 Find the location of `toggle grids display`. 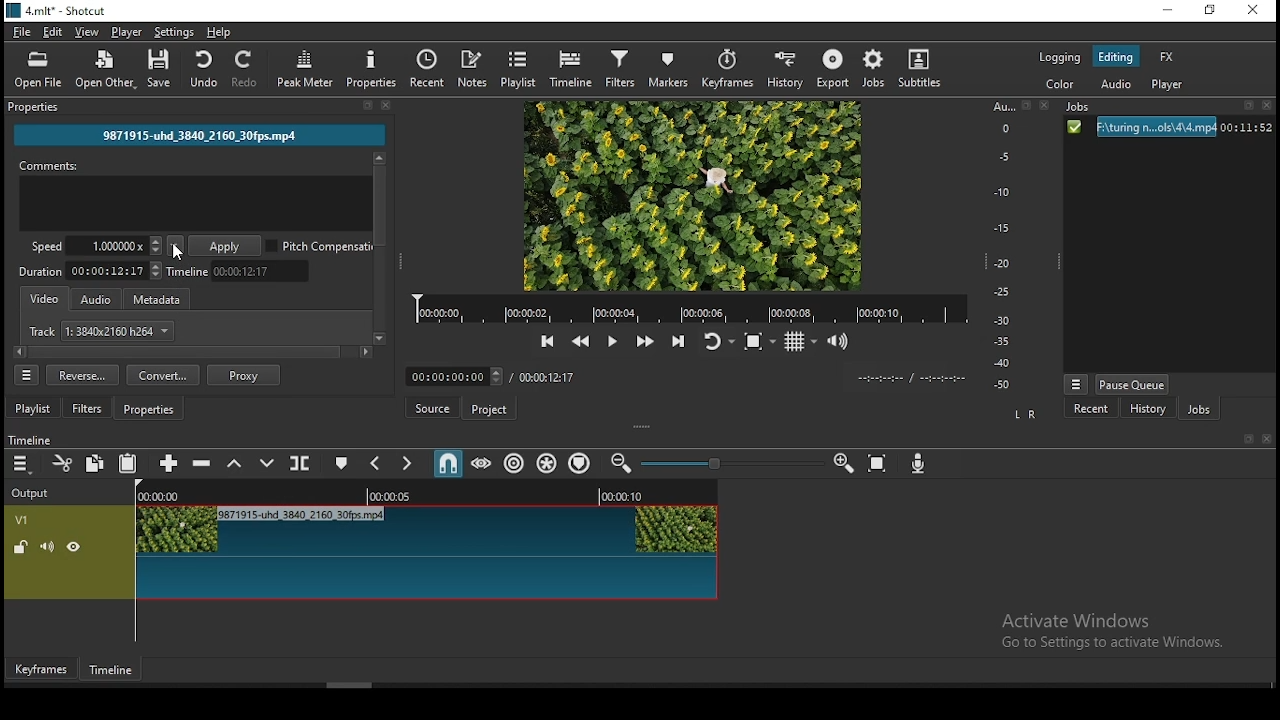

toggle grids display is located at coordinates (799, 344).